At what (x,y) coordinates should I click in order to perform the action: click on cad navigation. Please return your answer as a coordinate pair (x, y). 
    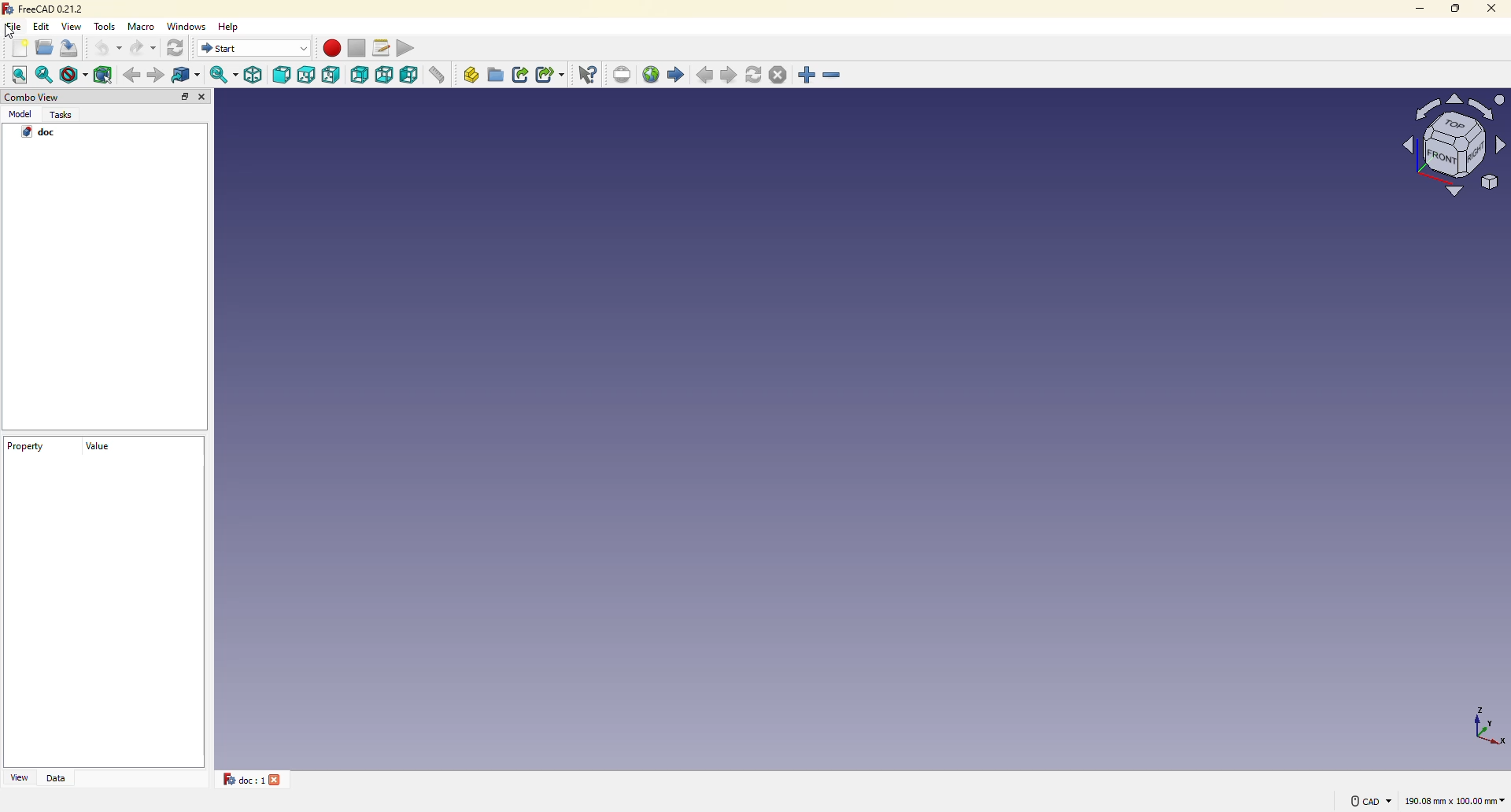
    Looking at the image, I should click on (1369, 800).